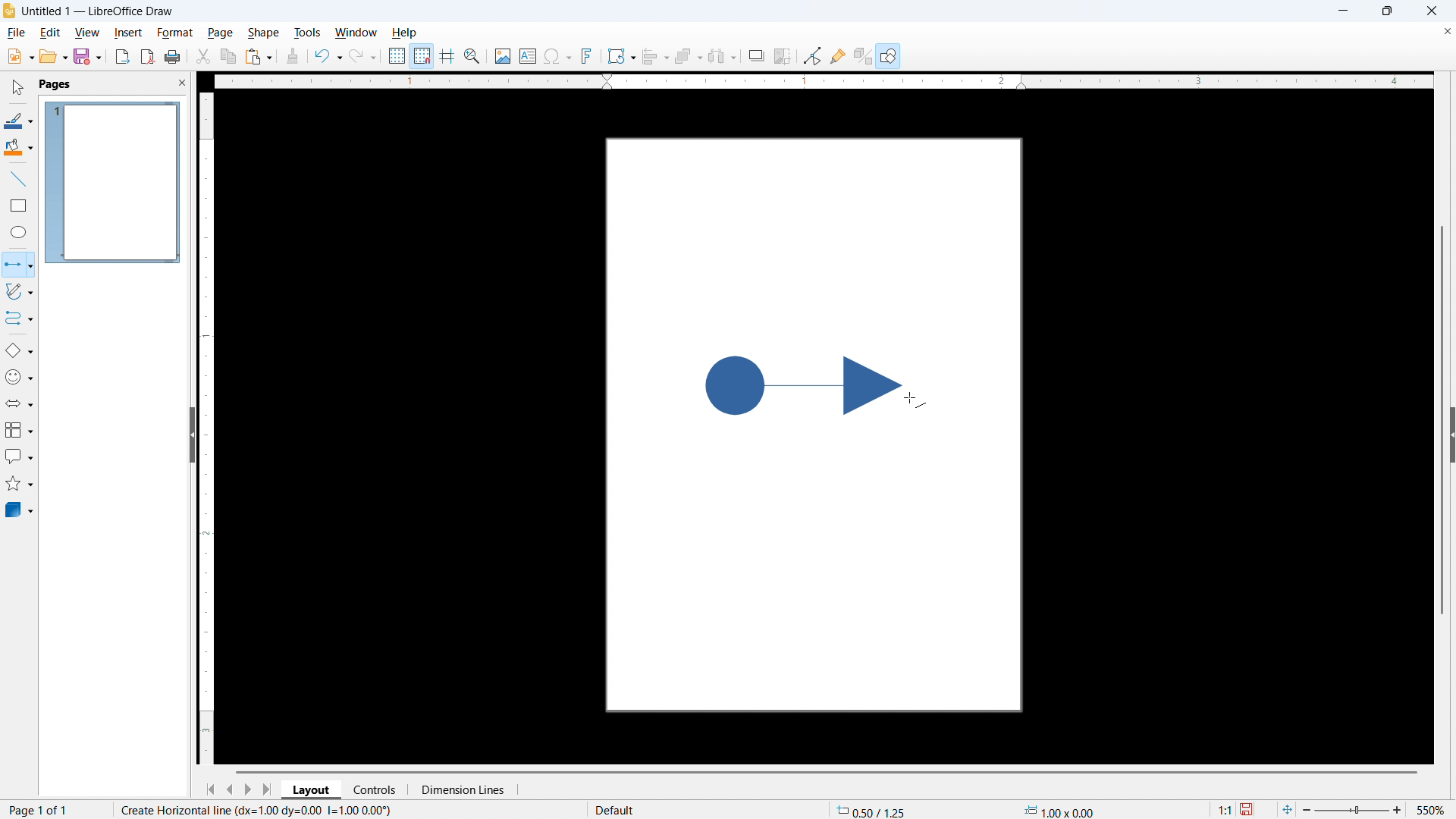  I want to click on Next page , so click(247, 789).